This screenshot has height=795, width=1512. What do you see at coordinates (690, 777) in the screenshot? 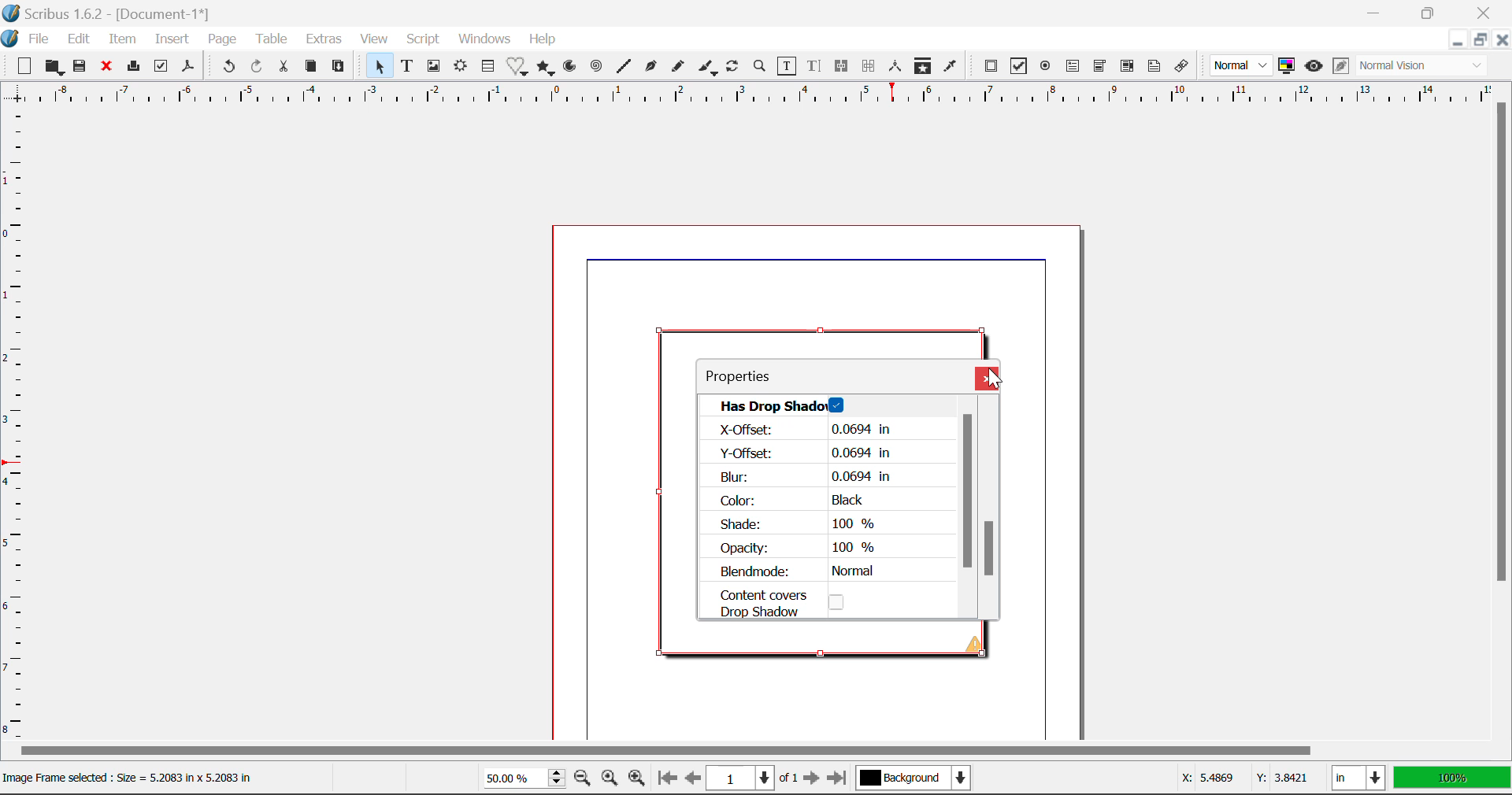
I see `Previous page` at bounding box center [690, 777].